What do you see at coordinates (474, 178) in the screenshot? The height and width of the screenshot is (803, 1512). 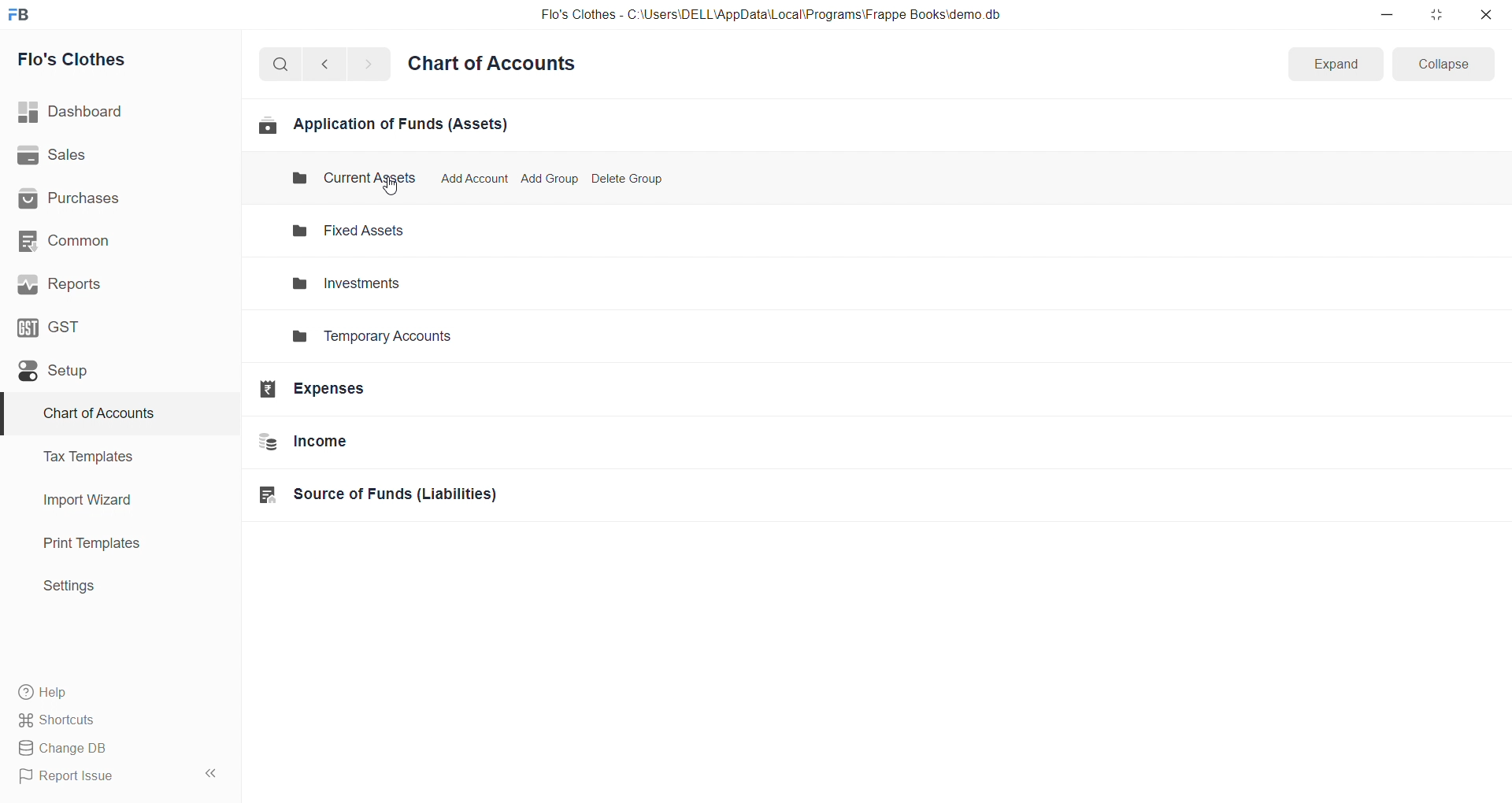 I see `Add Account` at bounding box center [474, 178].